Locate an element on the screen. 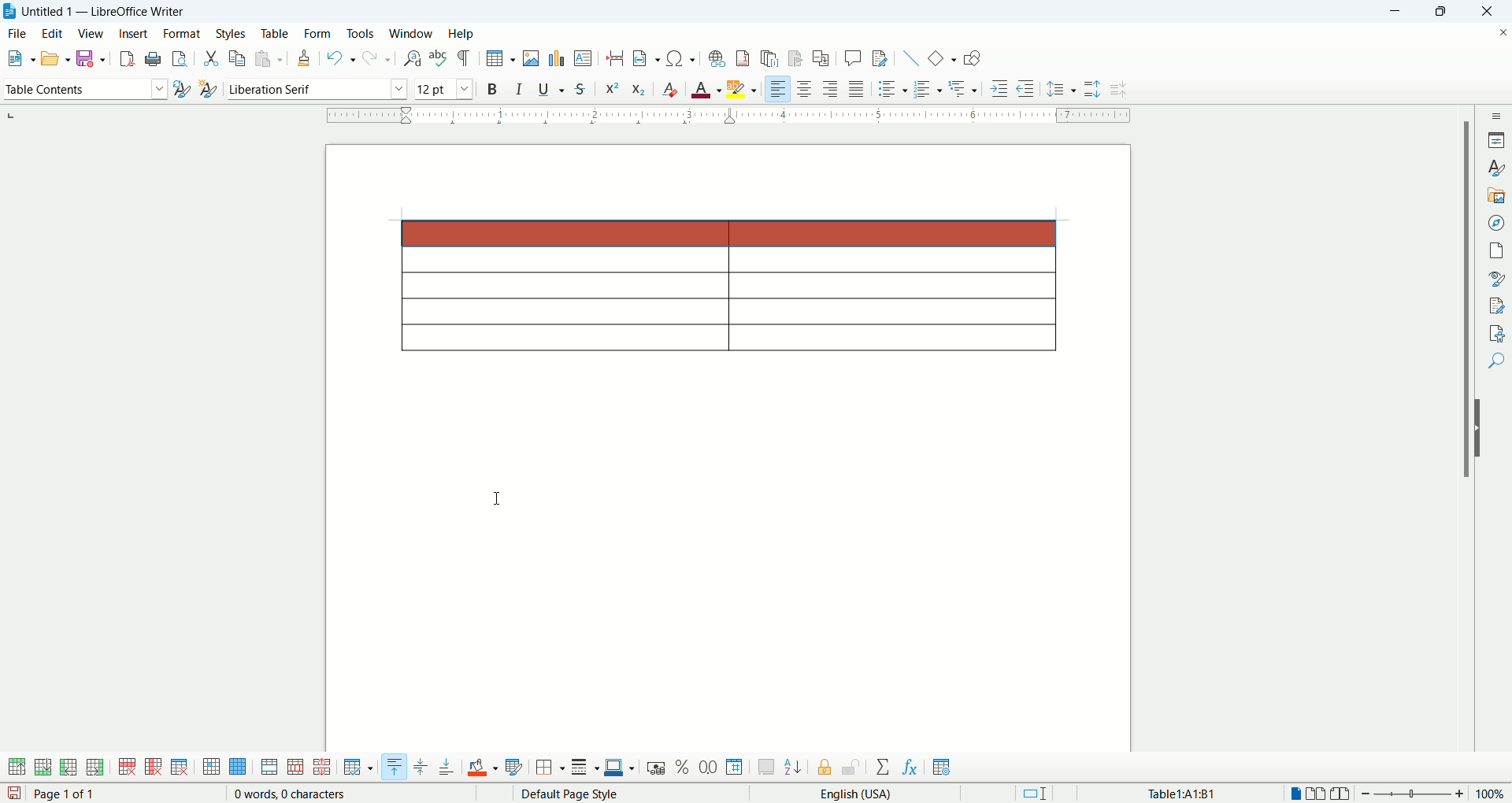  formatting mask is located at coordinates (465, 57).